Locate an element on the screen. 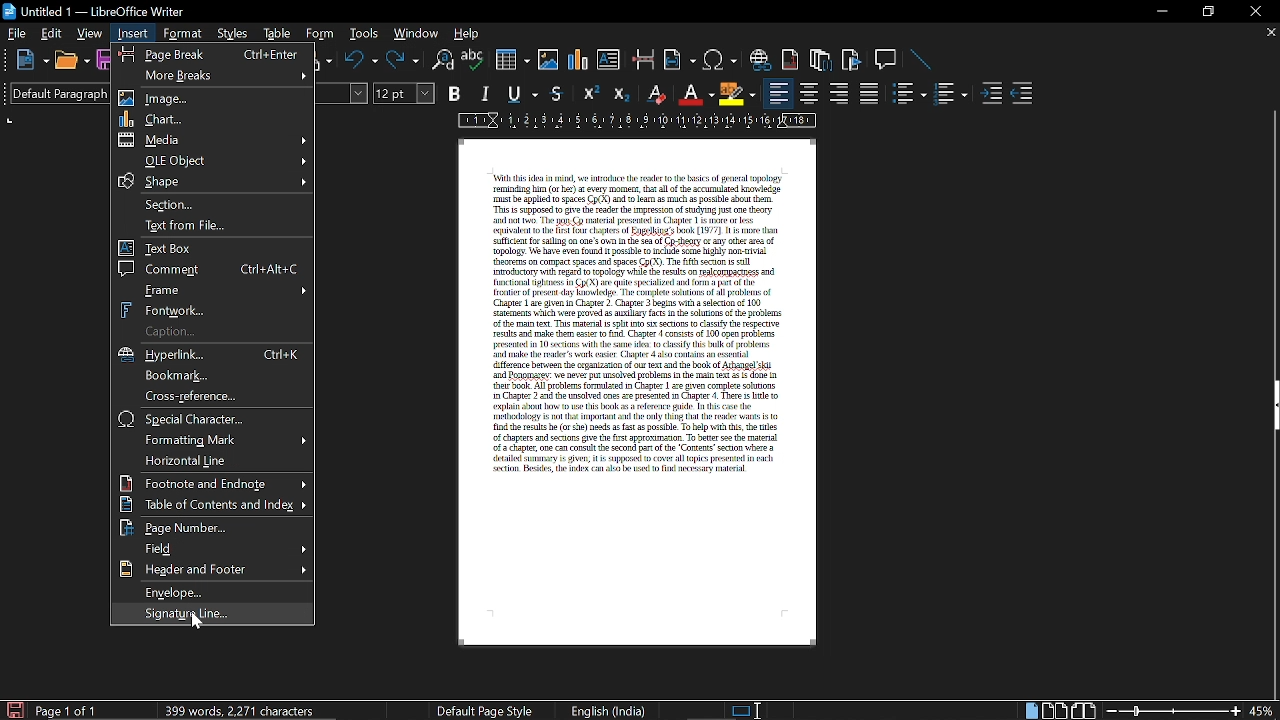 The height and width of the screenshot is (720, 1280). justified is located at coordinates (869, 94).